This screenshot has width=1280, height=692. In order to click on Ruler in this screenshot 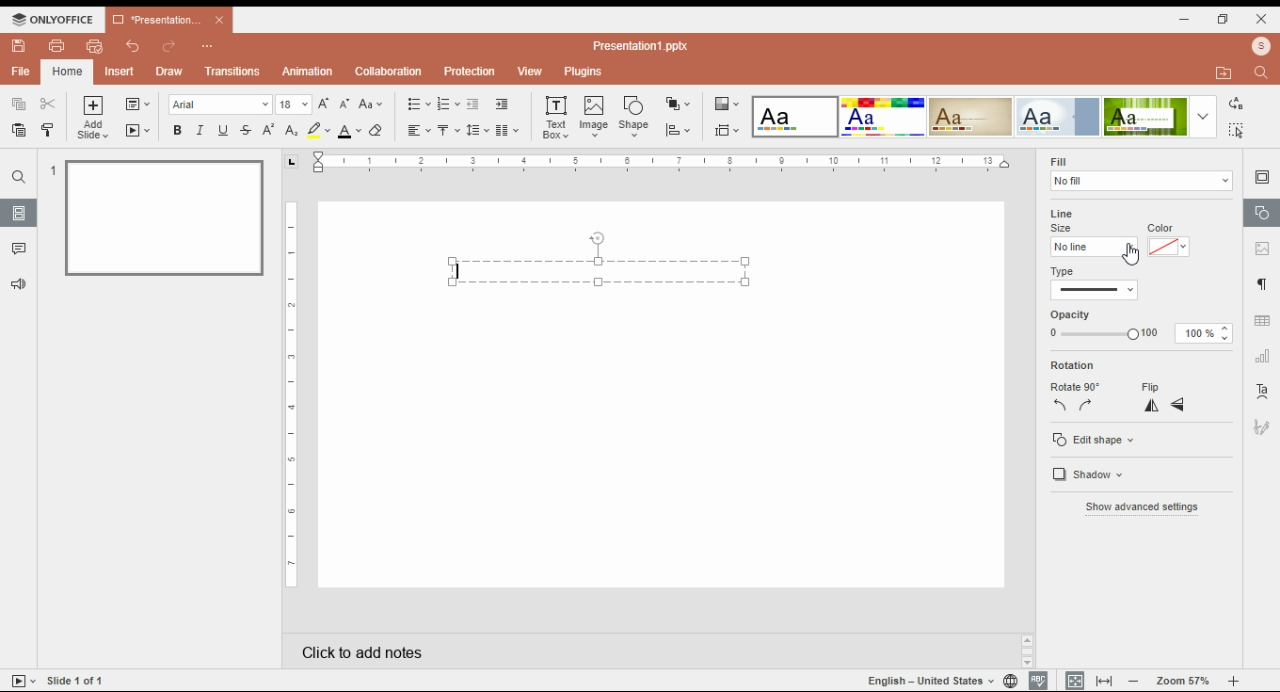, I will do `click(660, 162)`.